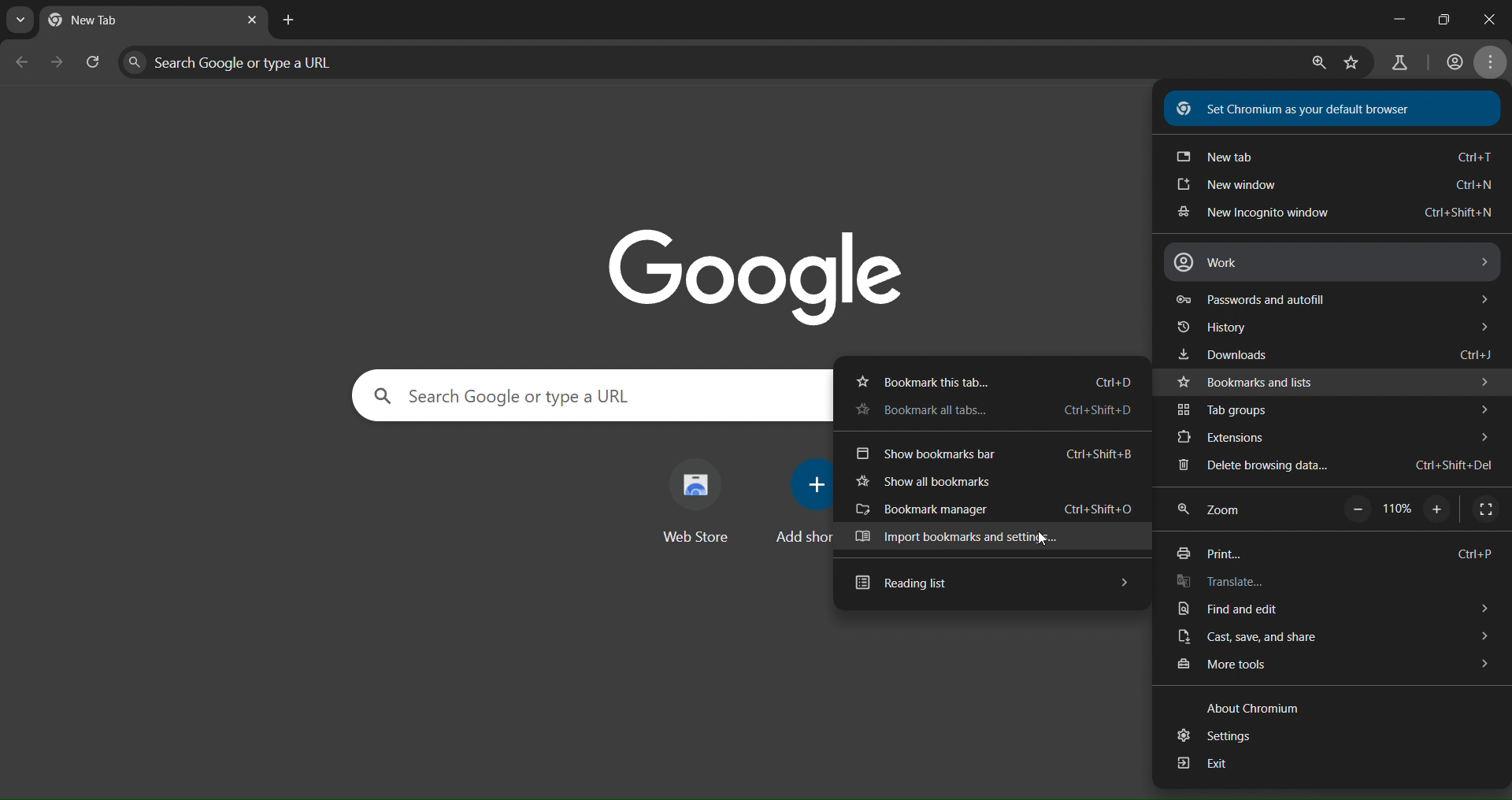 The image size is (1512, 800). Describe the element at coordinates (1334, 554) in the screenshot. I see `print` at that location.